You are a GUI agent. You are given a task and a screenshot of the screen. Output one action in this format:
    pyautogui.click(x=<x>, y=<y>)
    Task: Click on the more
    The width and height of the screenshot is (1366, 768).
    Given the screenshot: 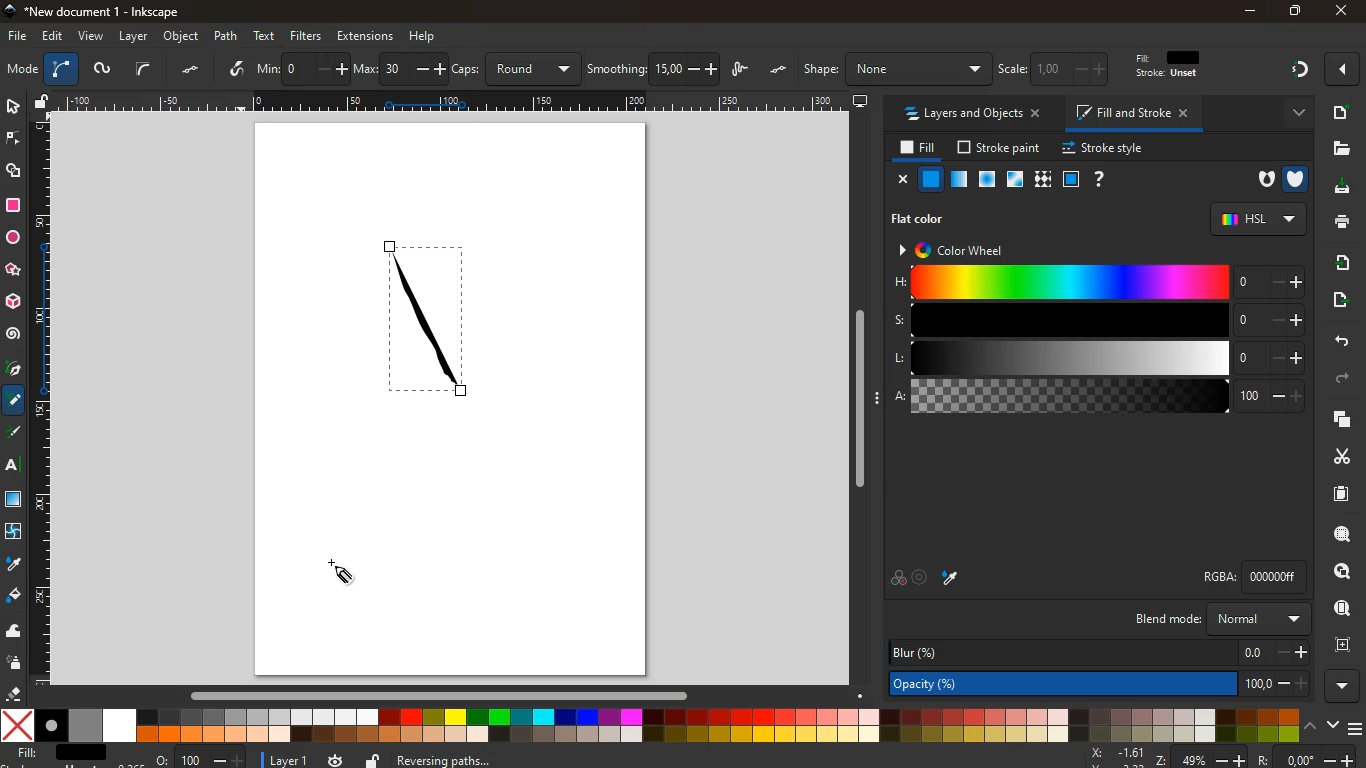 What is the action you would take?
    pyautogui.click(x=1343, y=686)
    